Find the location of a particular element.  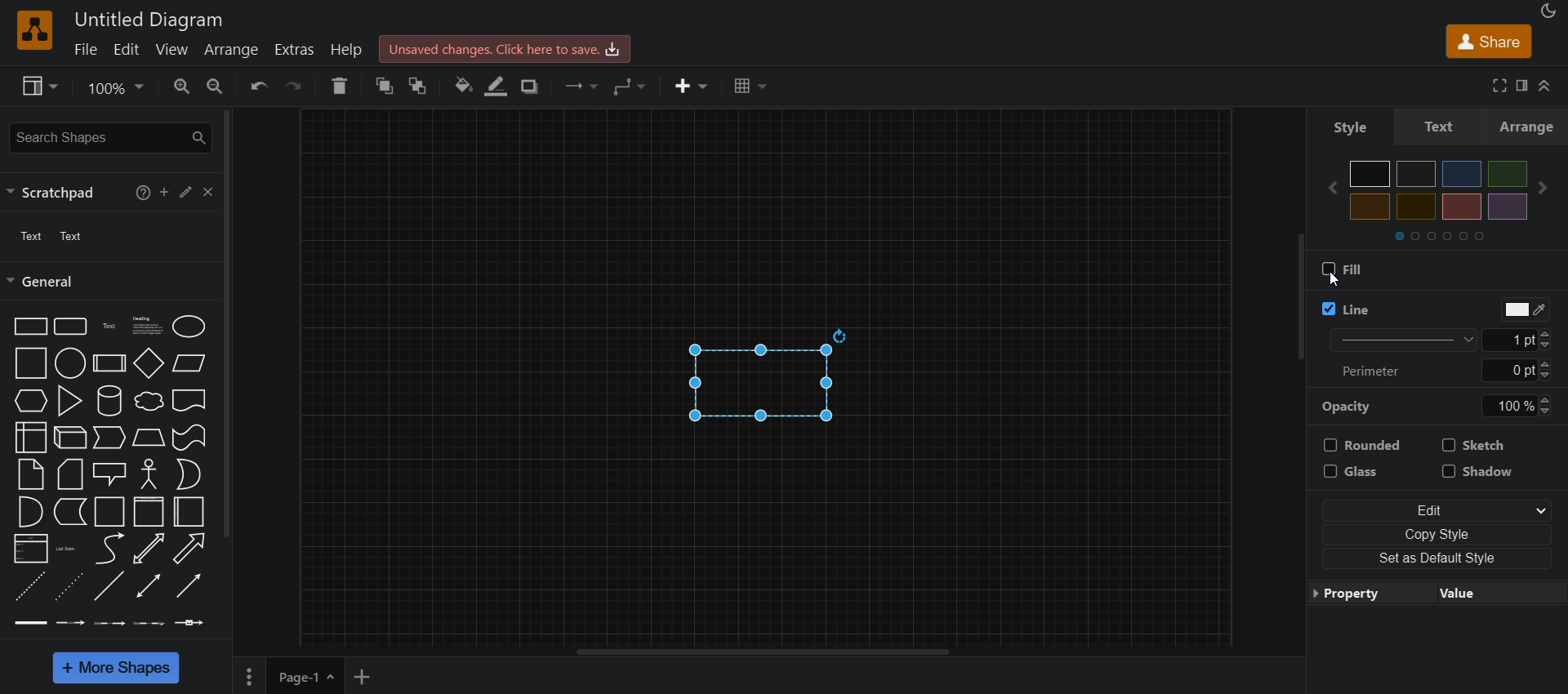

current opacity is located at coordinates (1500, 407).